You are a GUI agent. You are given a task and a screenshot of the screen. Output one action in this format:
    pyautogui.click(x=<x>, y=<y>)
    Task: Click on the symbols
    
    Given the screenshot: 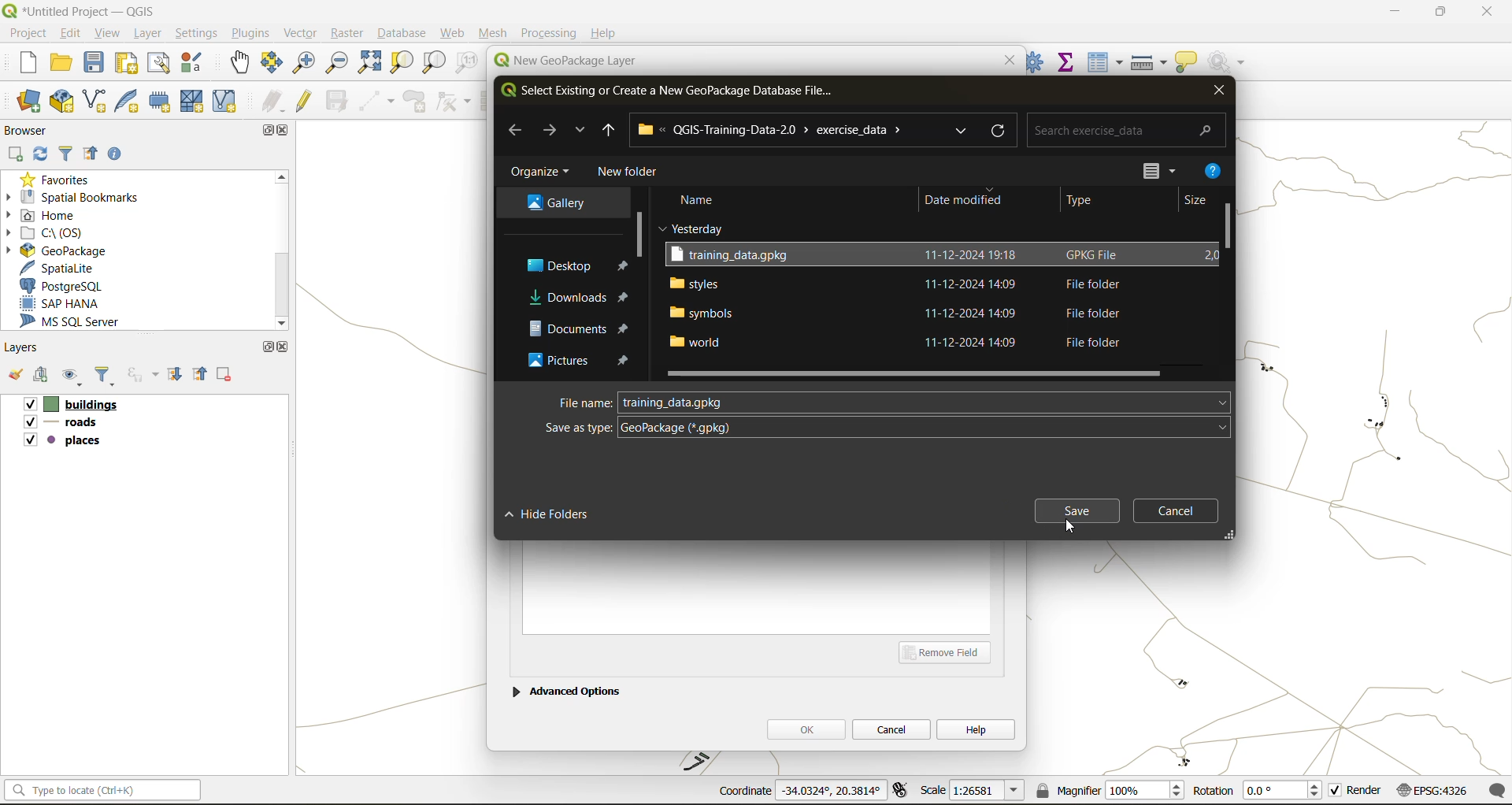 What is the action you would take?
    pyautogui.click(x=702, y=312)
    